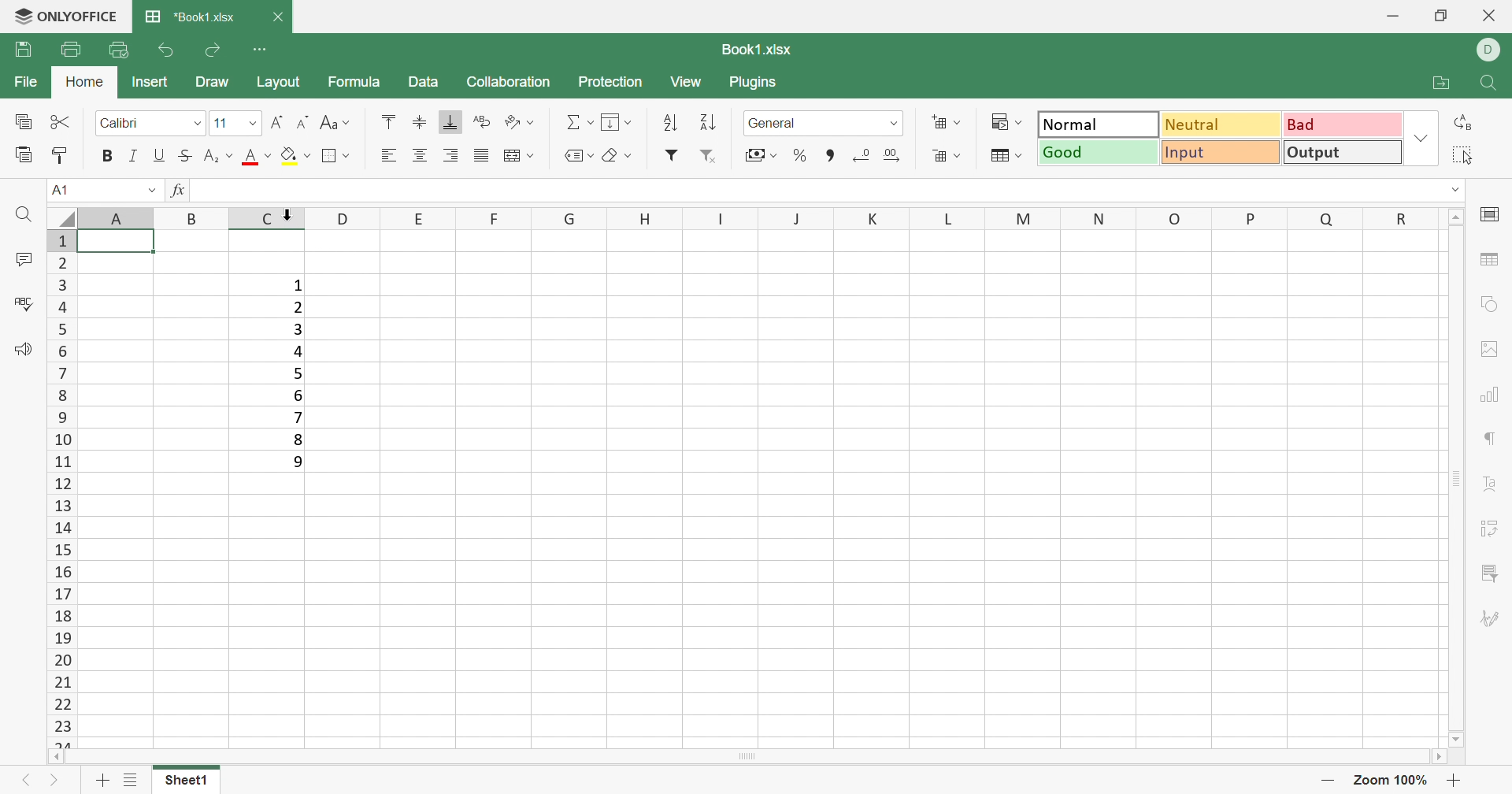  Describe the element at coordinates (1392, 781) in the screenshot. I see `Zoom 100%` at that location.